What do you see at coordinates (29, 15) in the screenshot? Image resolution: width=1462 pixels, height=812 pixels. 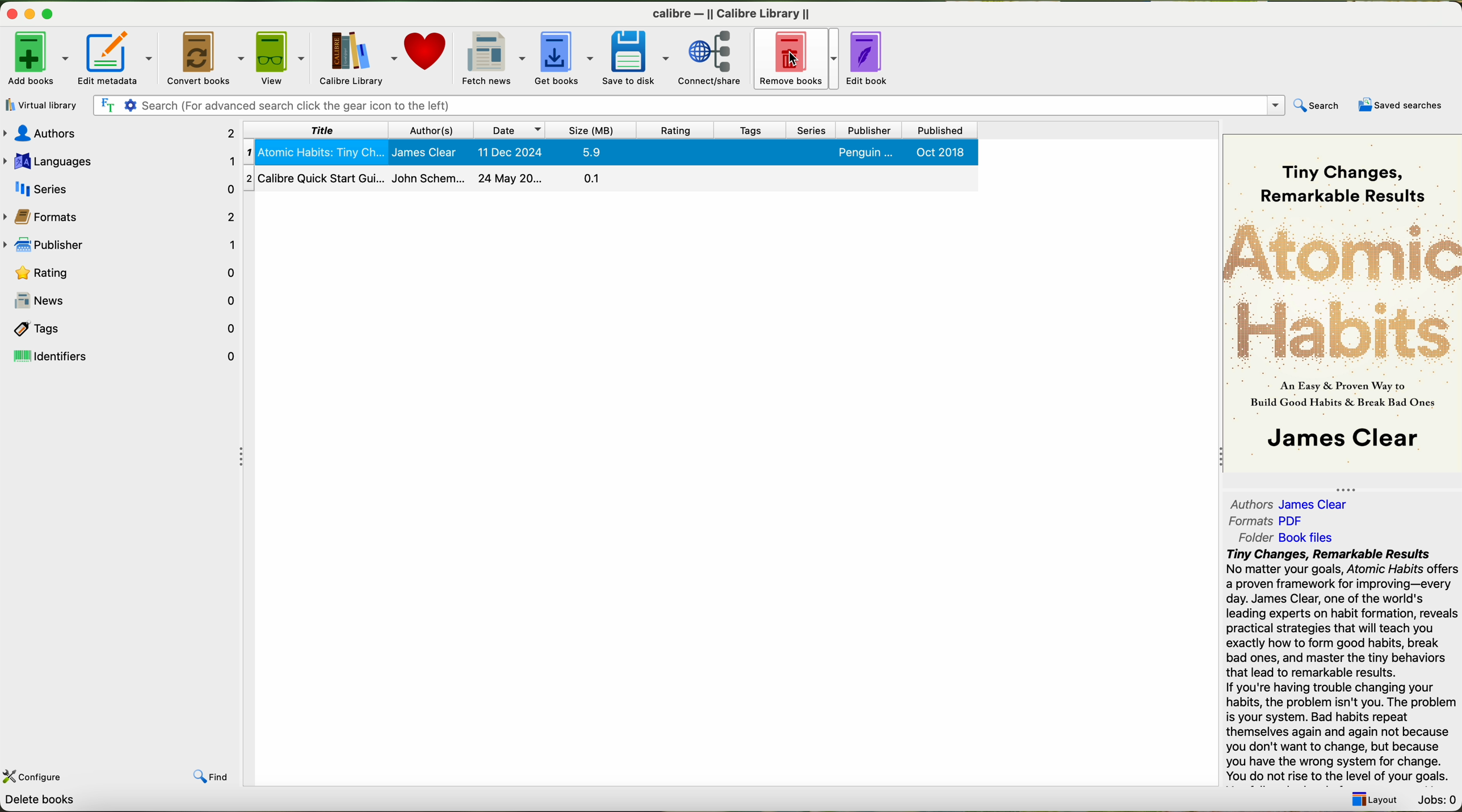 I see `minimize program` at bounding box center [29, 15].